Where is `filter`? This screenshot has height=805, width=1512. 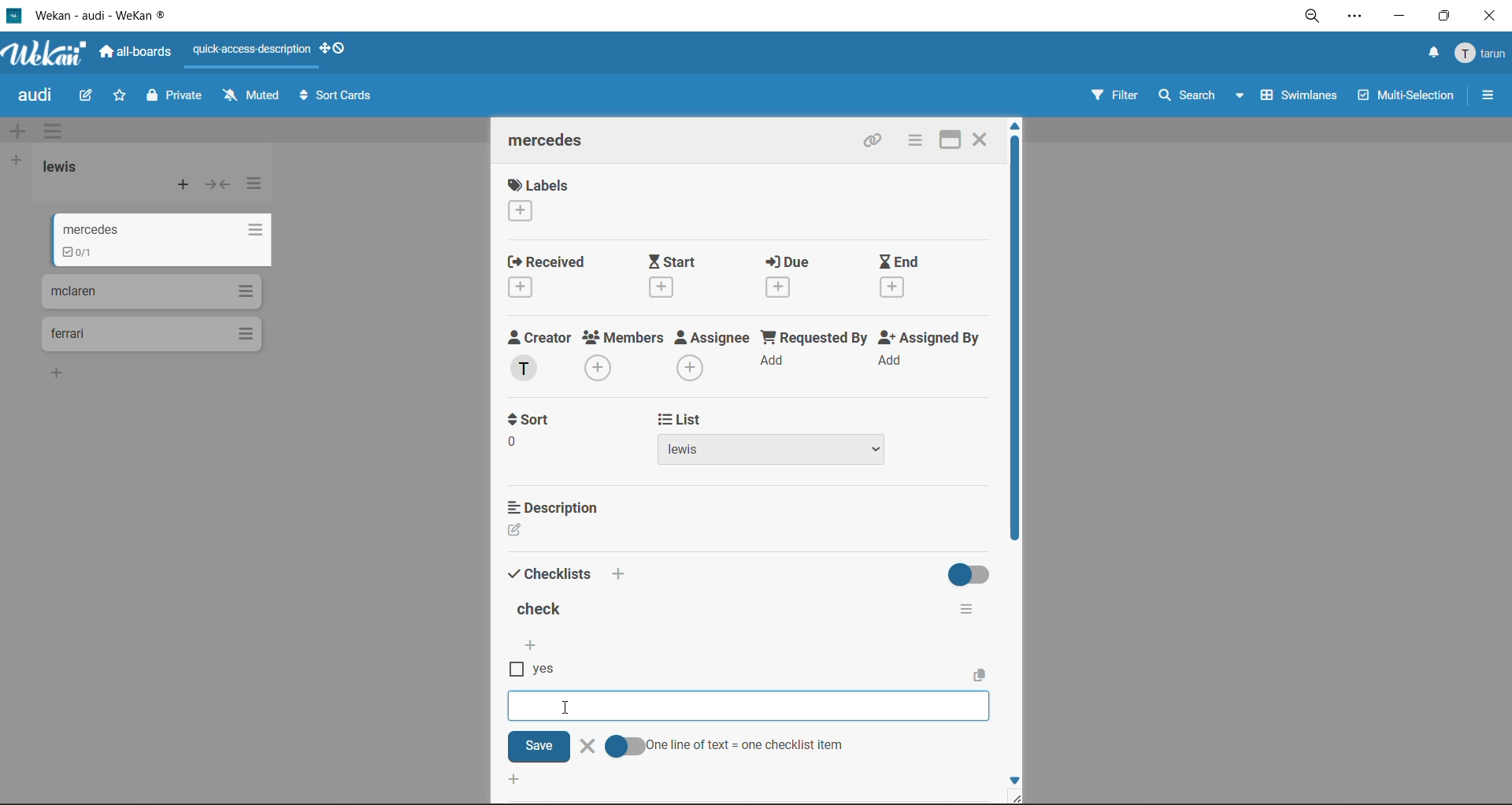 filter is located at coordinates (1113, 98).